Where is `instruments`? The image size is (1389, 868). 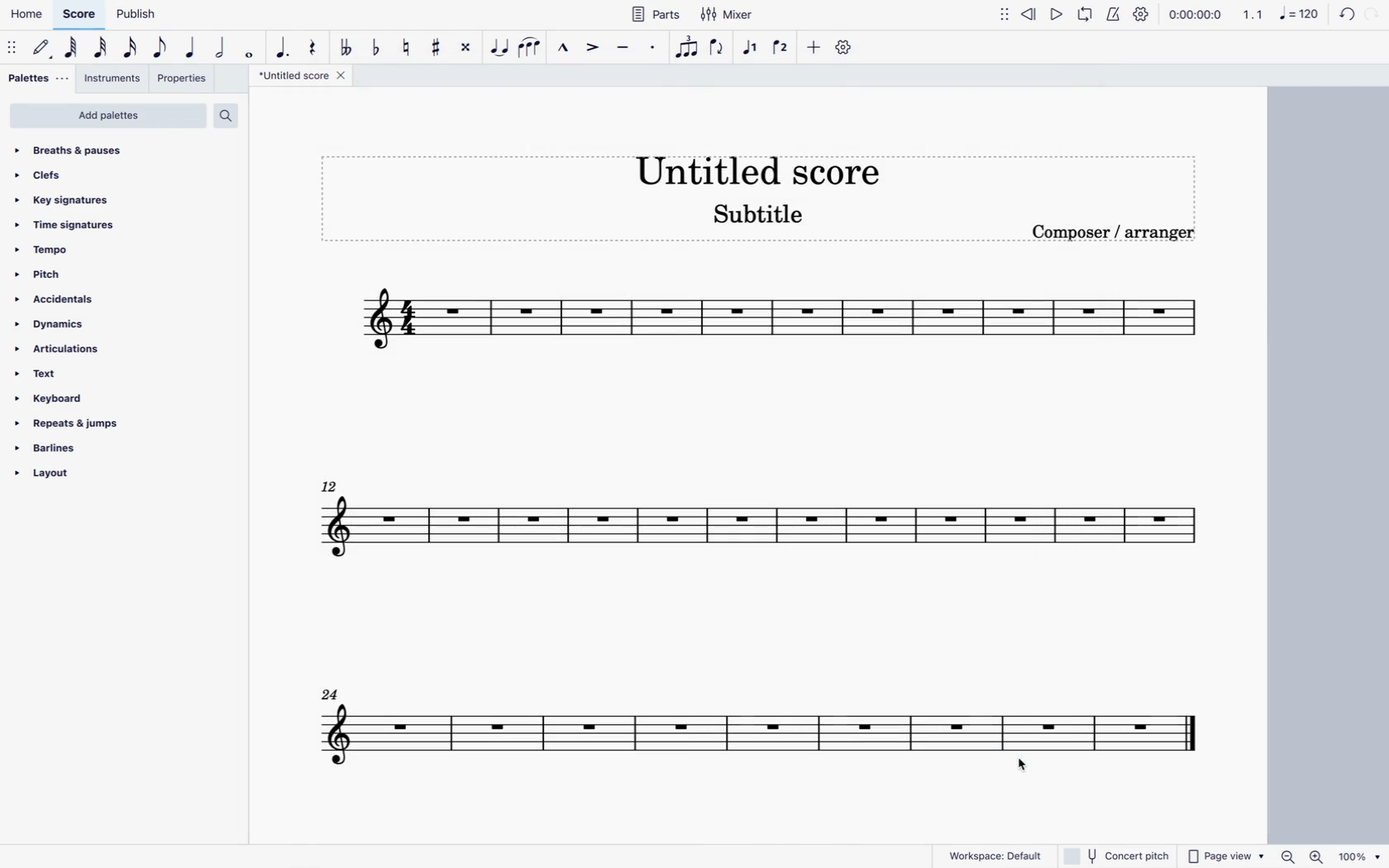
instruments is located at coordinates (114, 79).